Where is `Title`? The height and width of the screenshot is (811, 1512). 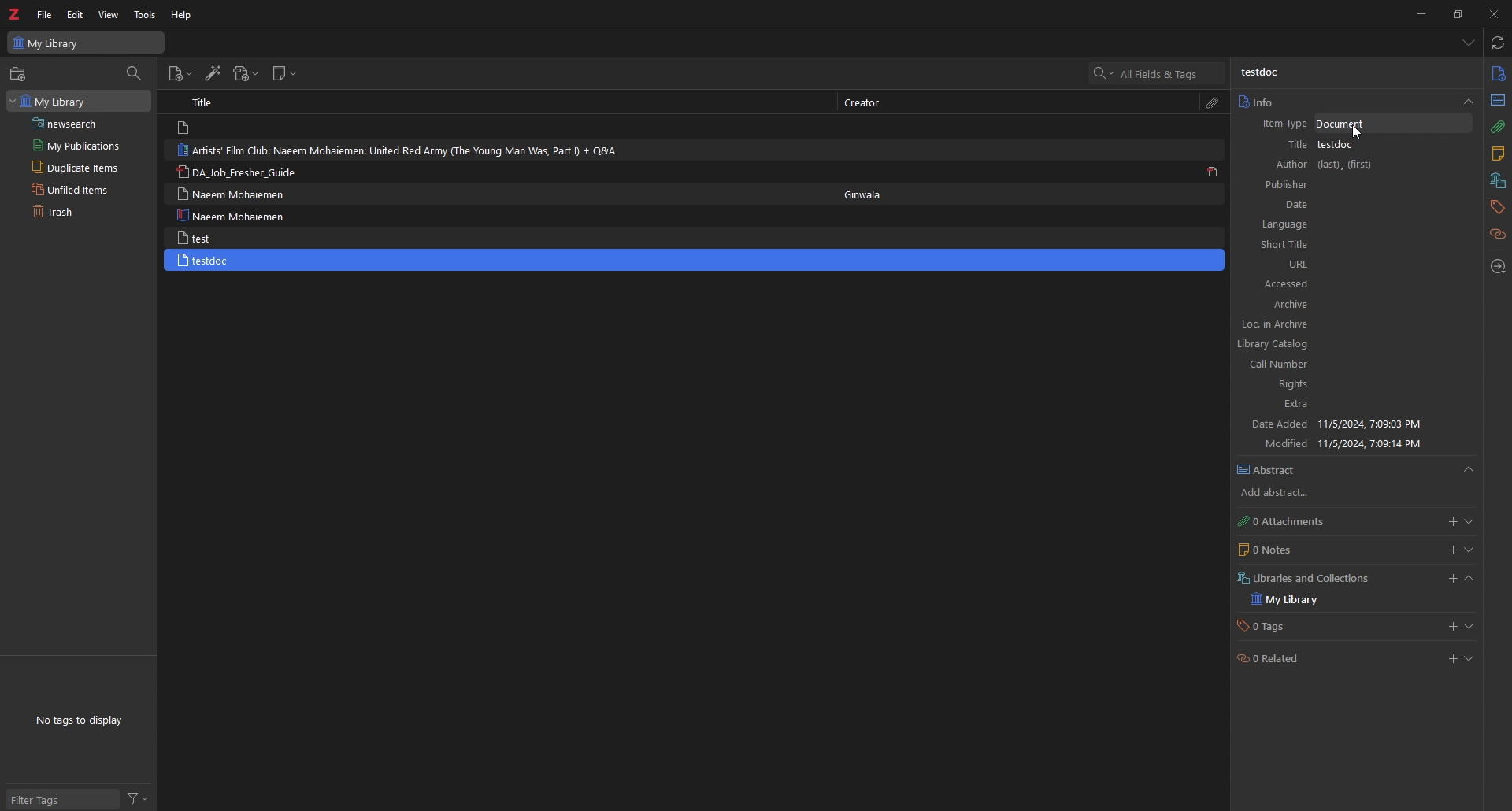 Title is located at coordinates (1282, 146).